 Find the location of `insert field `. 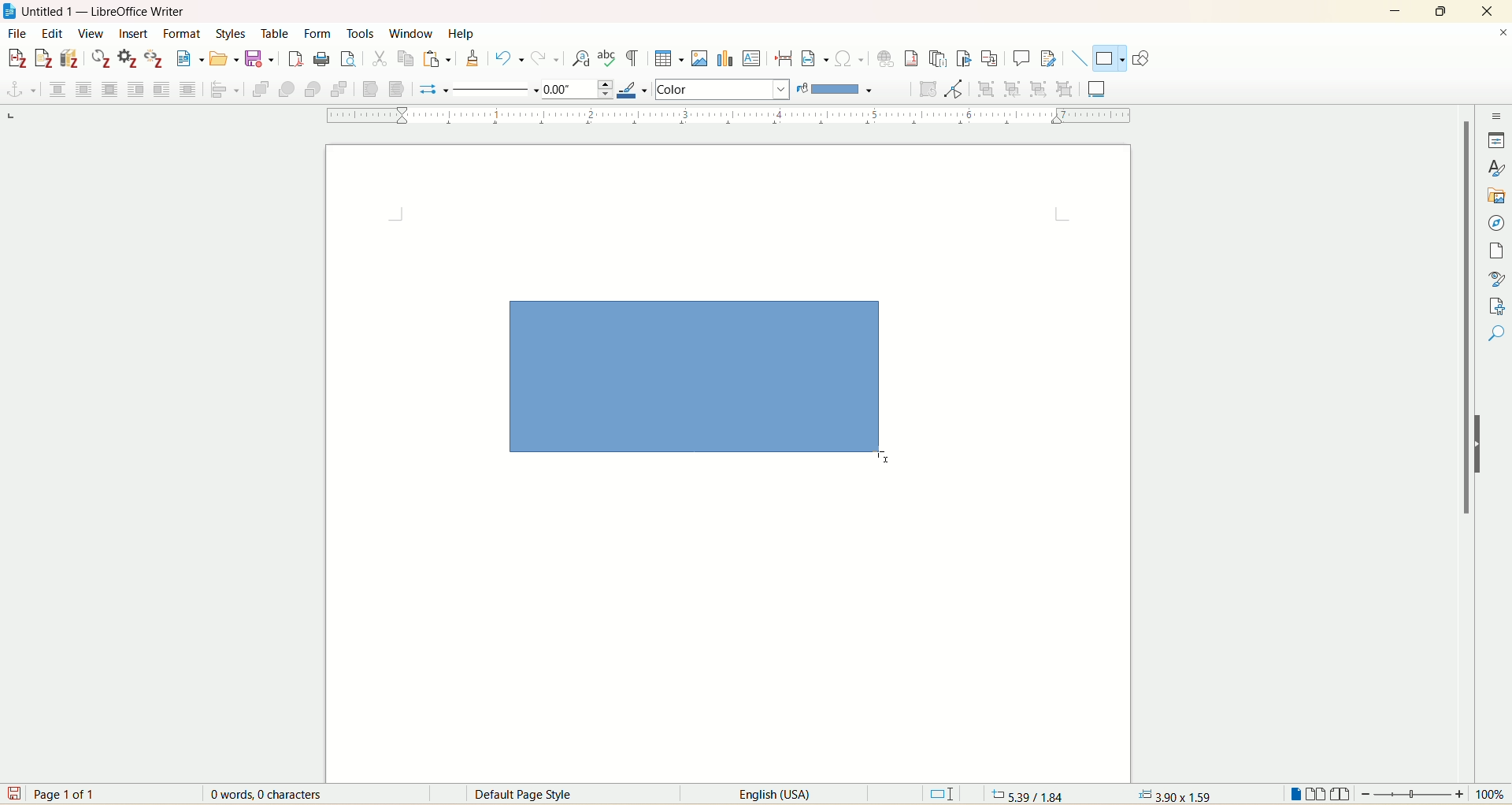

insert field  is located at coordinates (815, 57).